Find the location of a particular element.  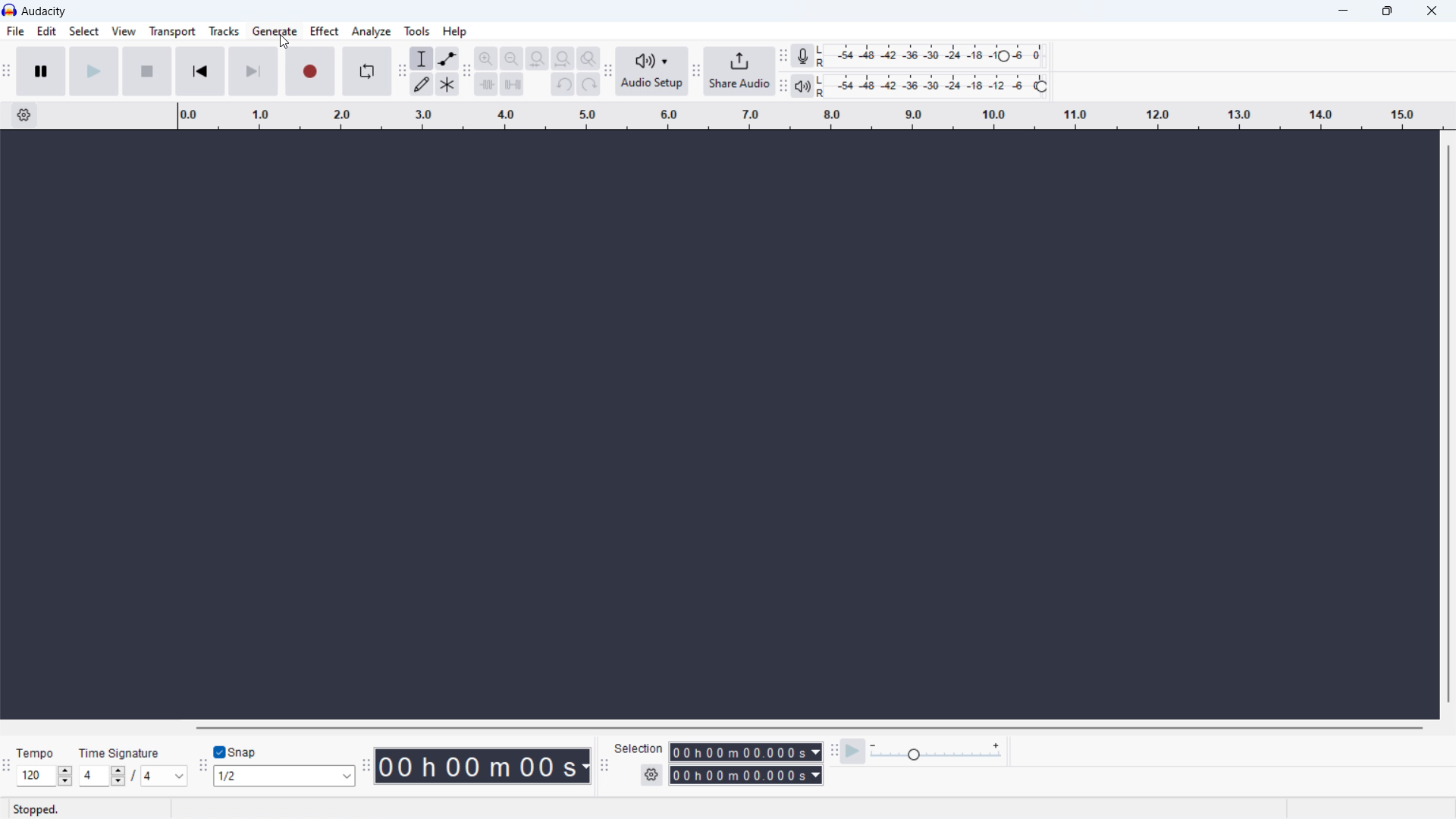

play at speed is located at coordinates (852, 751).